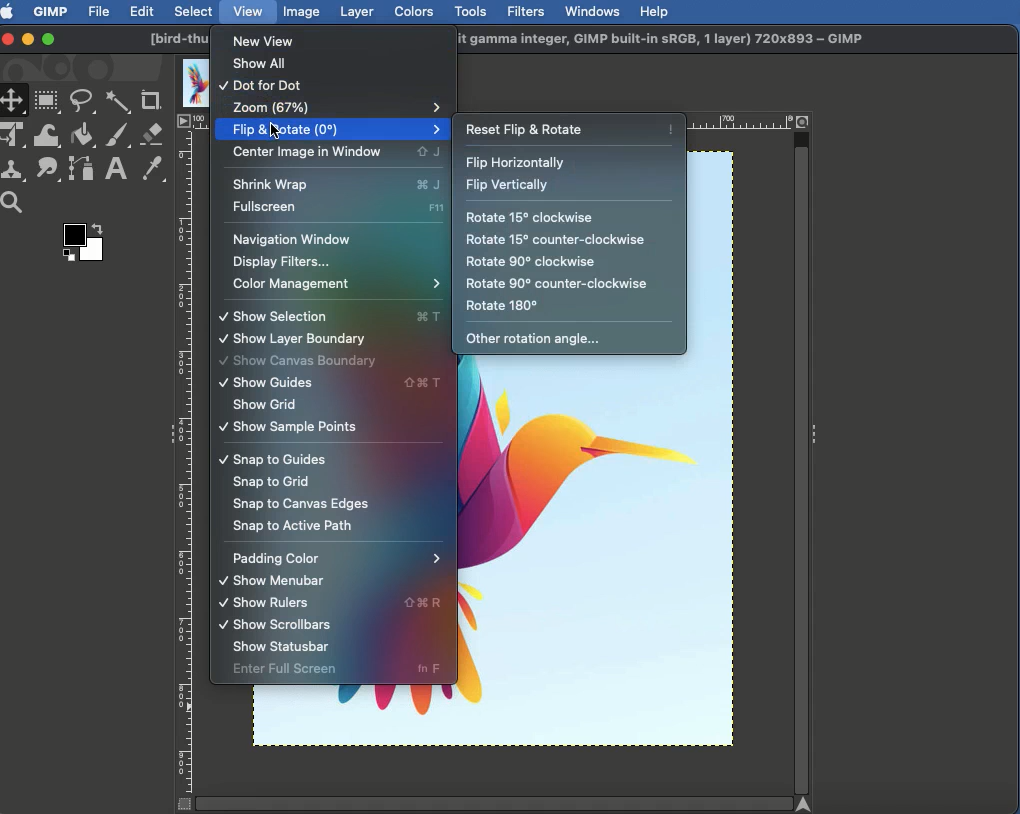  I want to click on Rotate 90 clockwise, so click(531, 261).